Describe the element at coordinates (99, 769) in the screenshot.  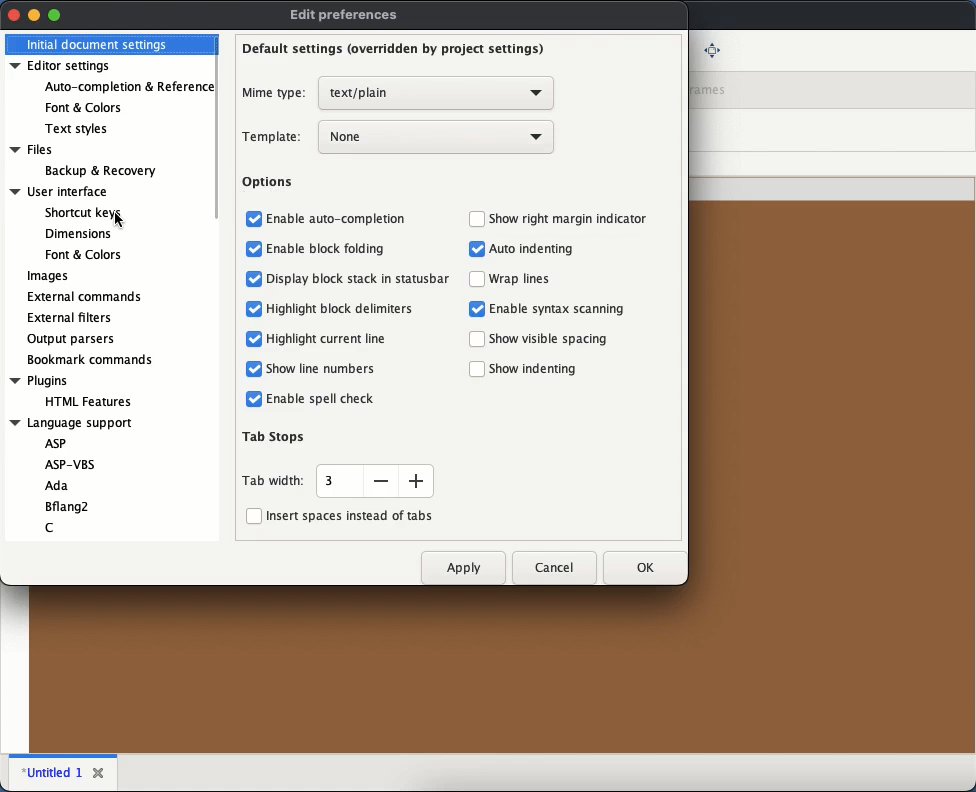
I see `close` at that location.